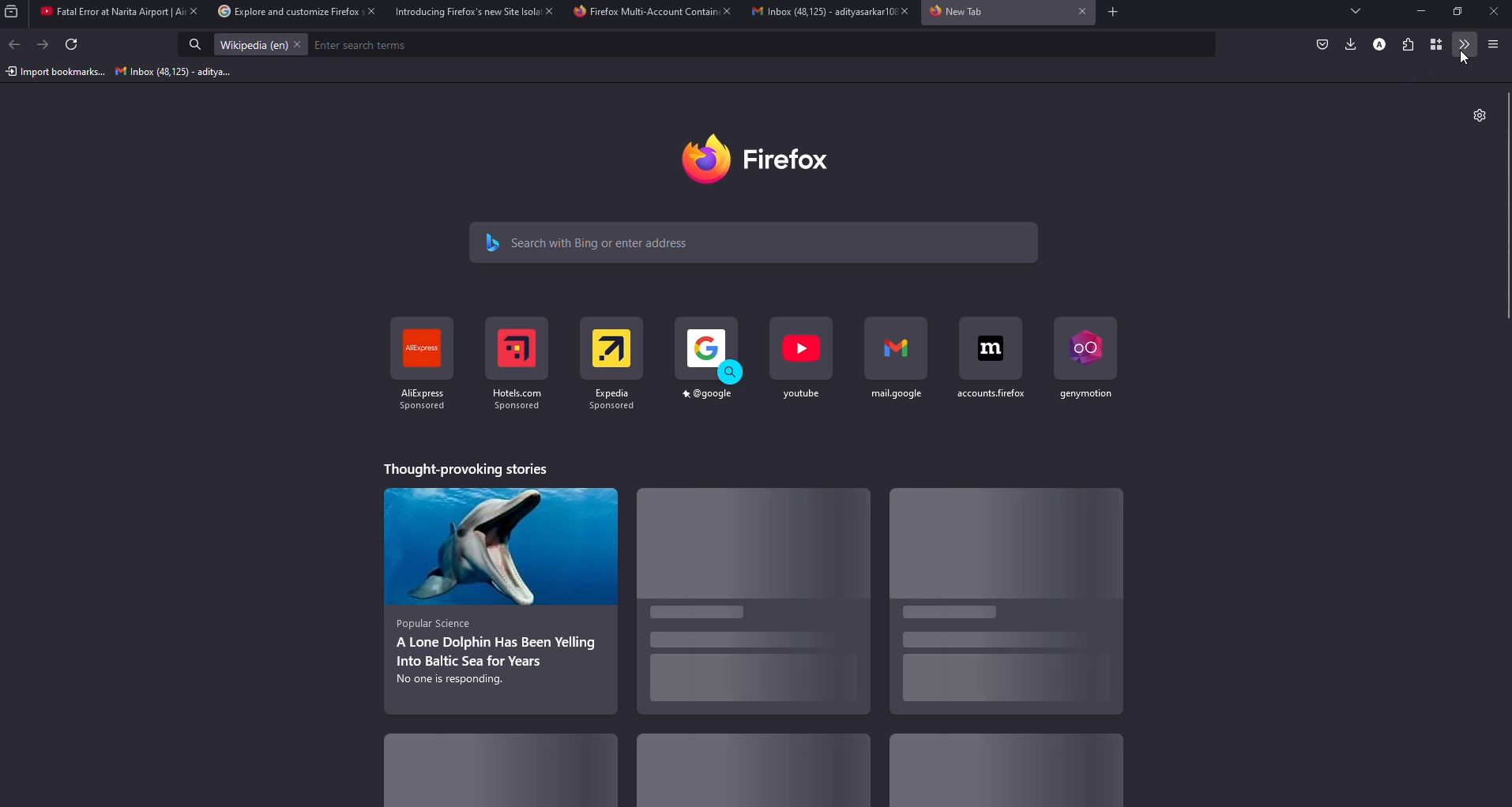 Image resolution: width=1512 pixels, height=807 pixels. What do you see at coordinates (1465, 58) in the screenshot?
I see `cursor` at bounding box center [1465, 58].